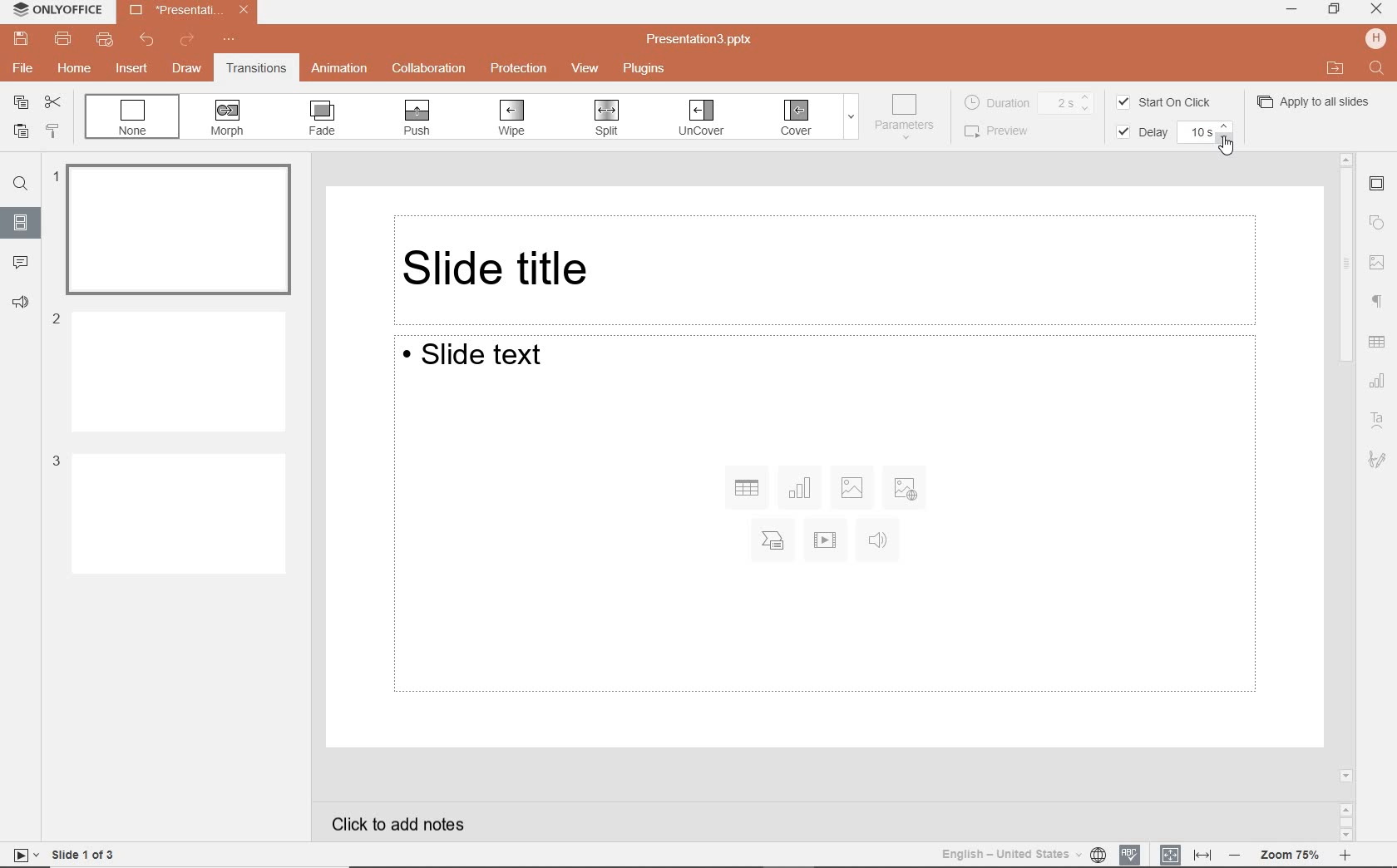 Image resolution: width=1397 pixels, height=868 pixels. I want to click on slide 1 of 3, so click(61, 855).